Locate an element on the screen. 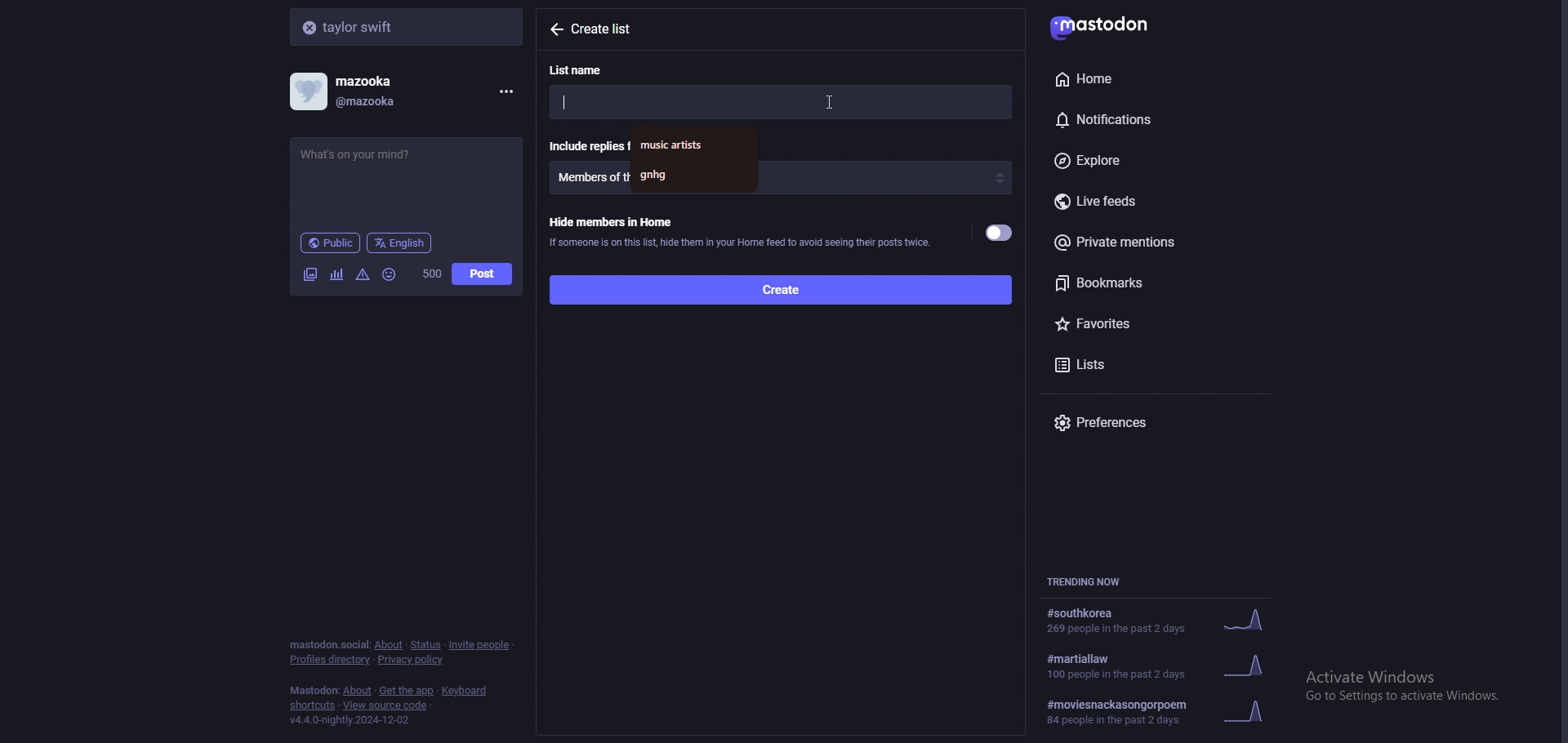 This screenshot has width=1568, height=743. mastodon social is located at coordinates (328, 645).